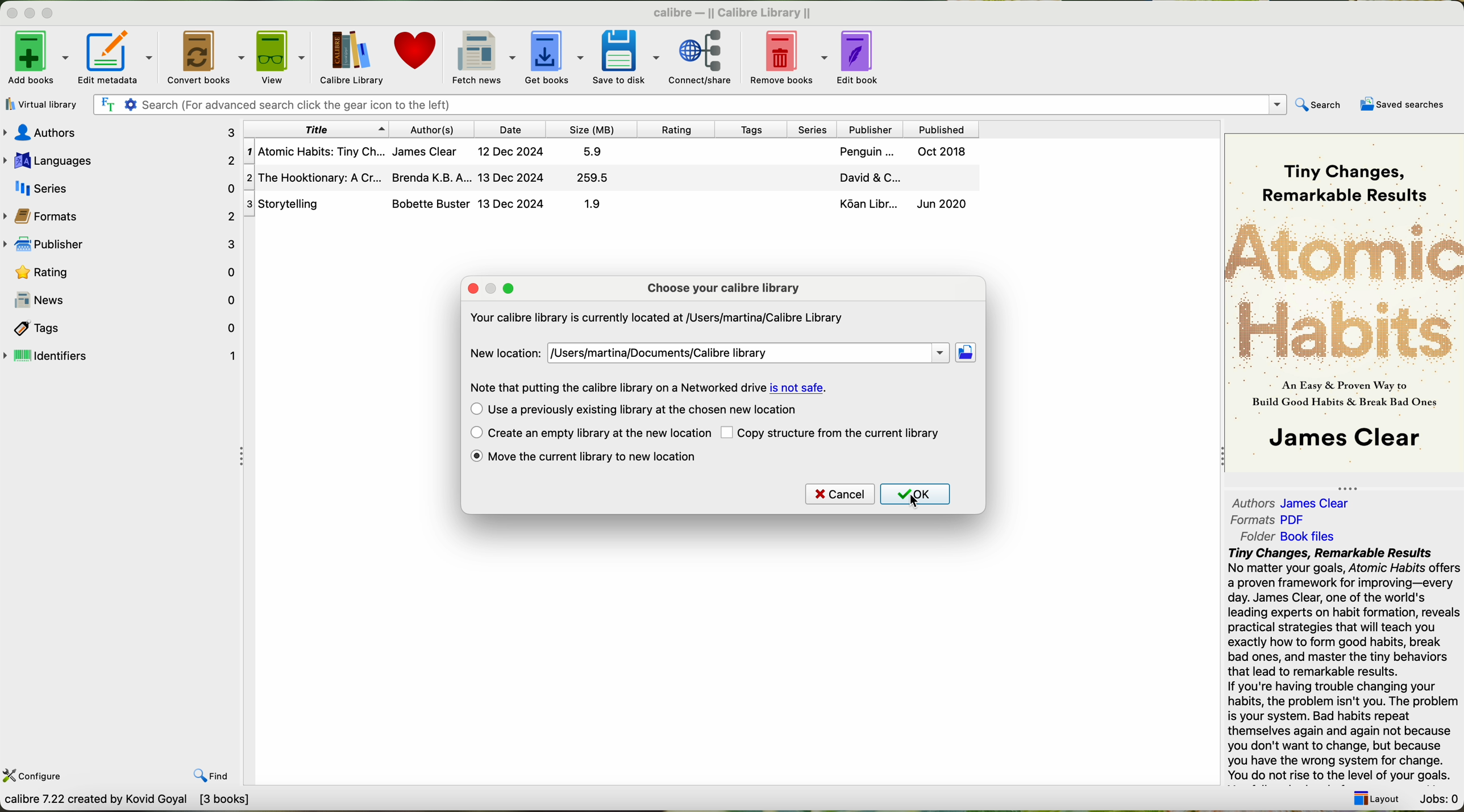 The image size is (1464, 812). What do you see at coordinates (503, 353) in the screenshot?
I see `New location:` at bounding box center [503, 353].